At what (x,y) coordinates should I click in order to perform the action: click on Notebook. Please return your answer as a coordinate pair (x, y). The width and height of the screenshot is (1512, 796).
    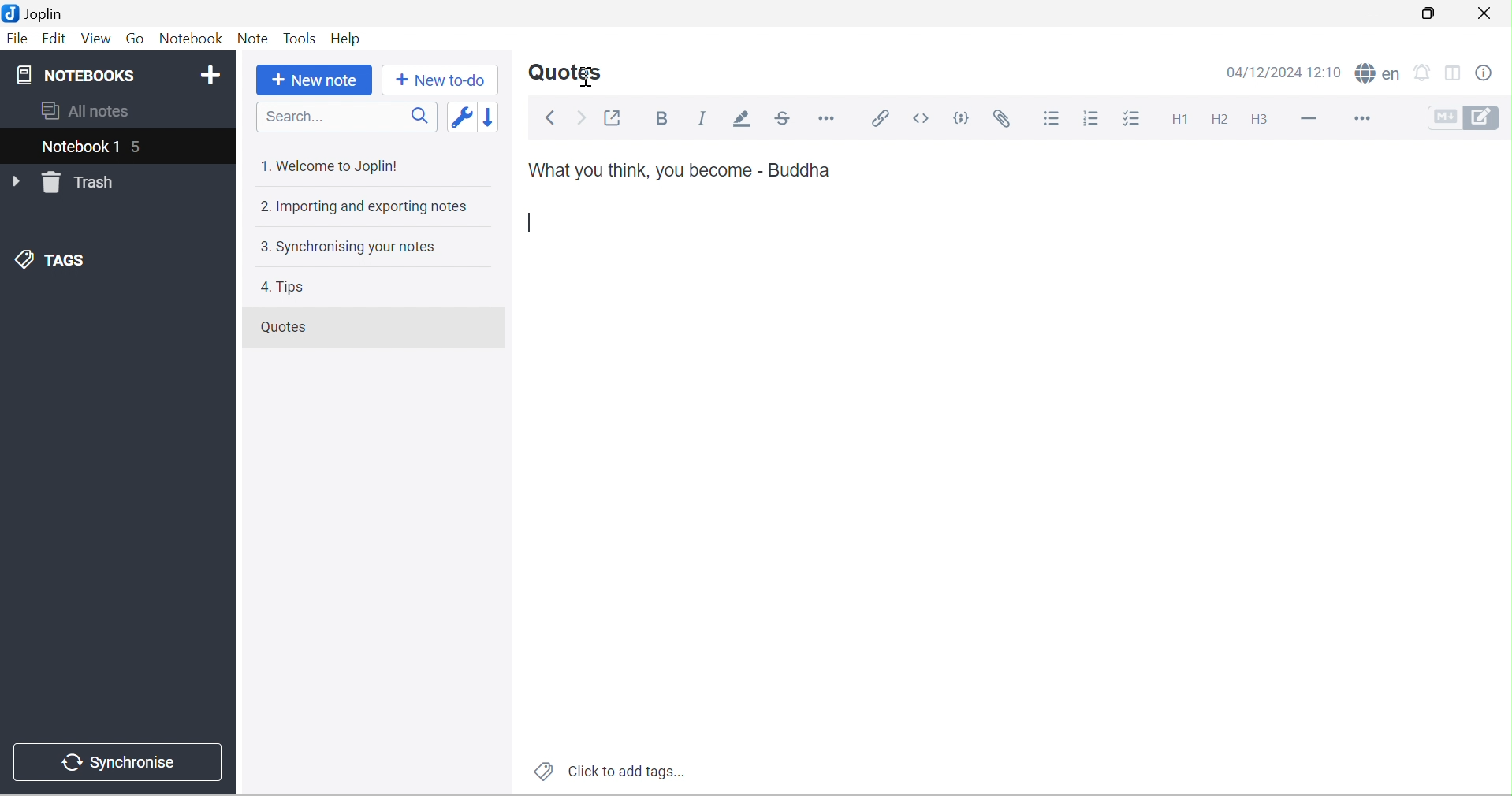
    Looking at the image, I should click on (193, 40).